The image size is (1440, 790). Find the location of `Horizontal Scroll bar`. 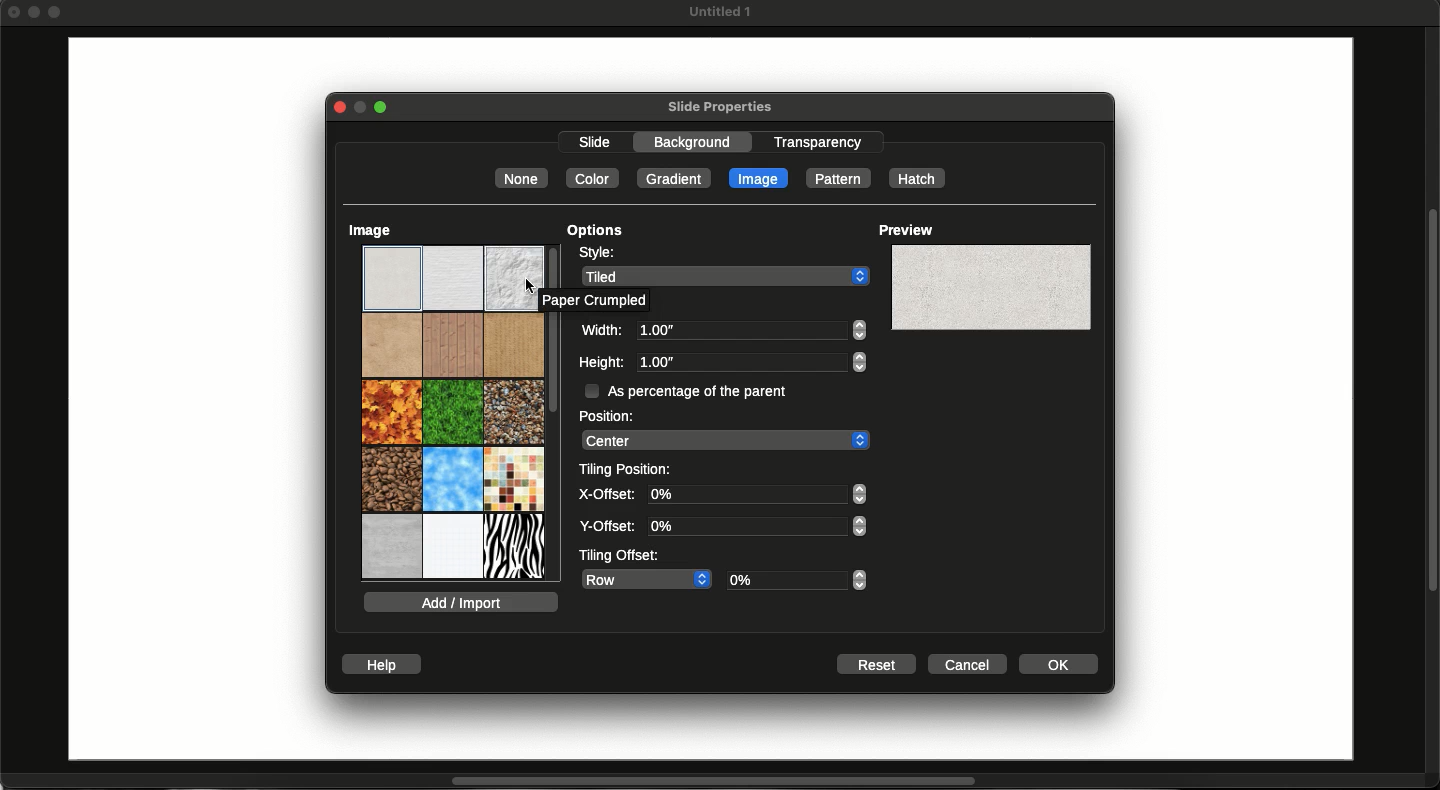

Horizontal Scroll bar is located at coordinates (702, 782).